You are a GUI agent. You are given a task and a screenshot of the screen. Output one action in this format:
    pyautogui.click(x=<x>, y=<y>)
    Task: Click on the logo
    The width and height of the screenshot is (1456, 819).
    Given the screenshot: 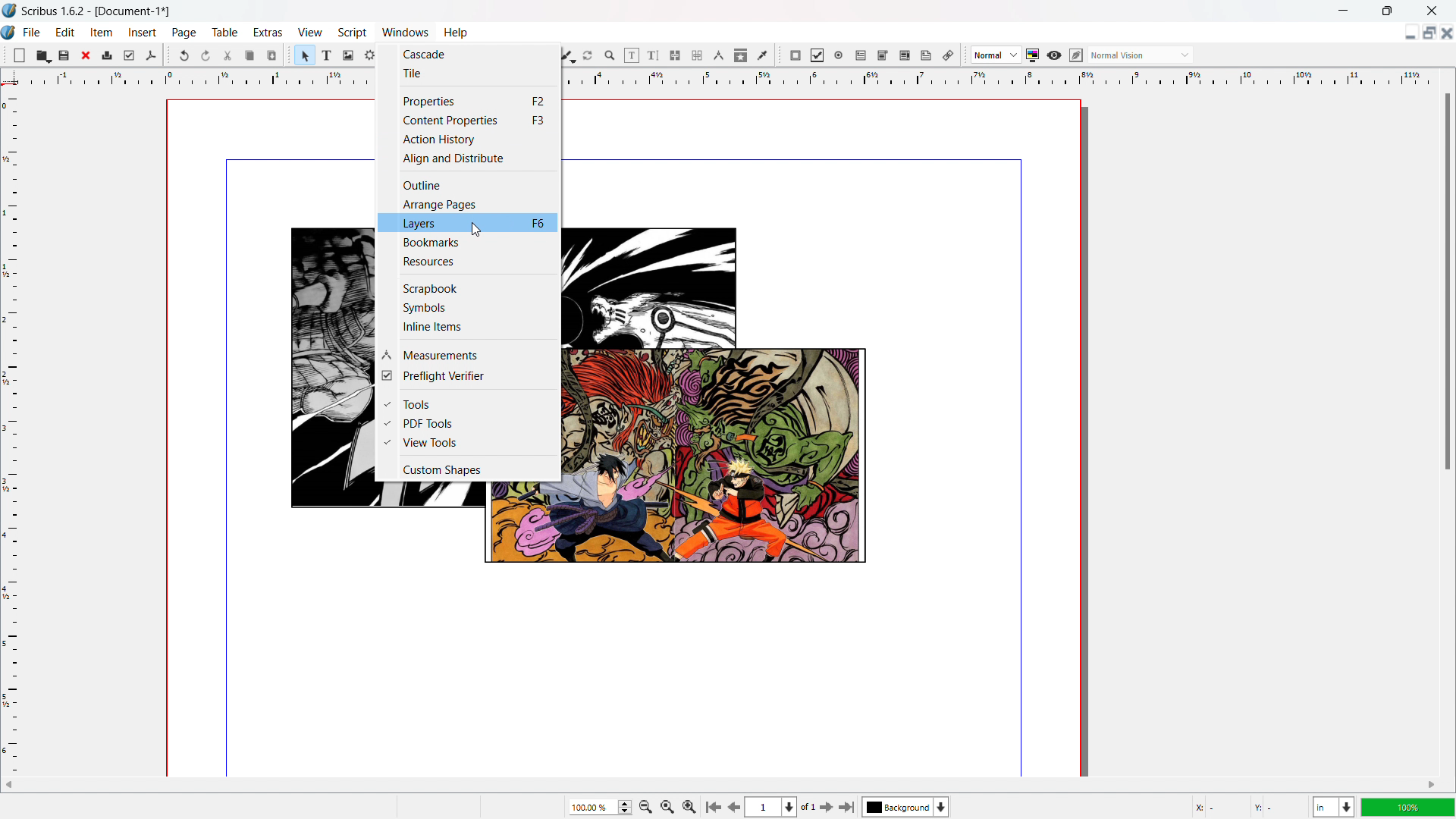 What is the action you would take?
    pyautogui.click(x=9, y=31)
    